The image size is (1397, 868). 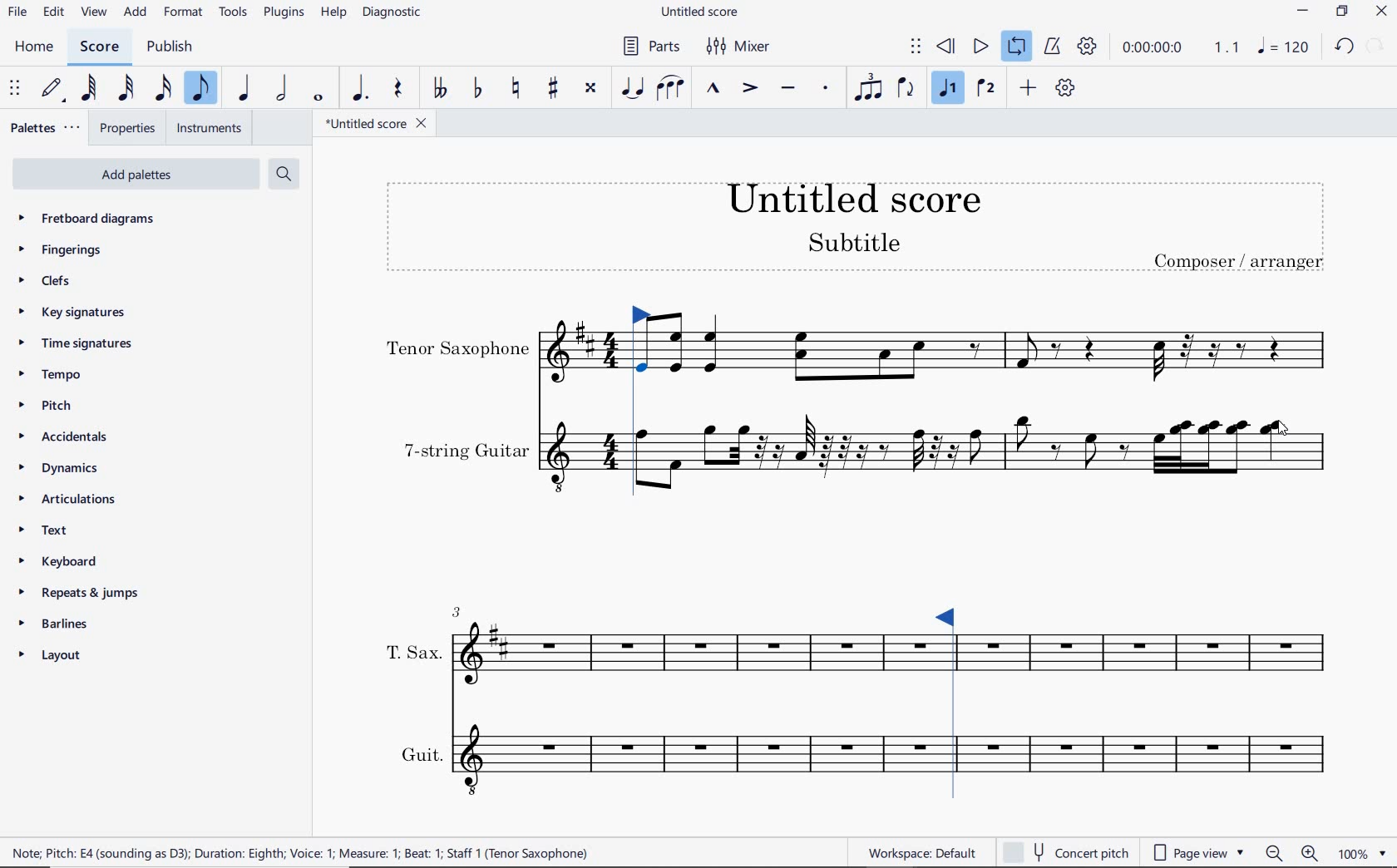 What do you see at coordinates (136, 11) in the screenshot?
I see `ADD` at bounding box center [136, 11].